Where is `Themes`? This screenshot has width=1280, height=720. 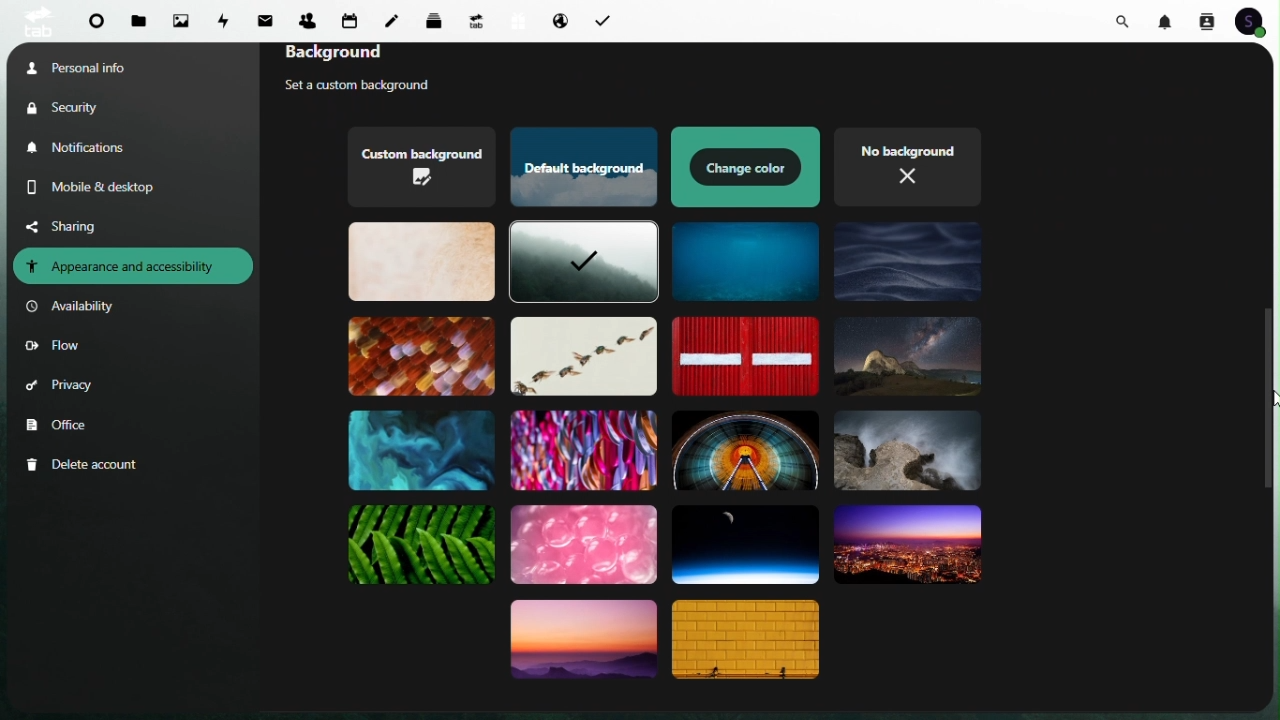
Themes is located at coordinates (585, 543).